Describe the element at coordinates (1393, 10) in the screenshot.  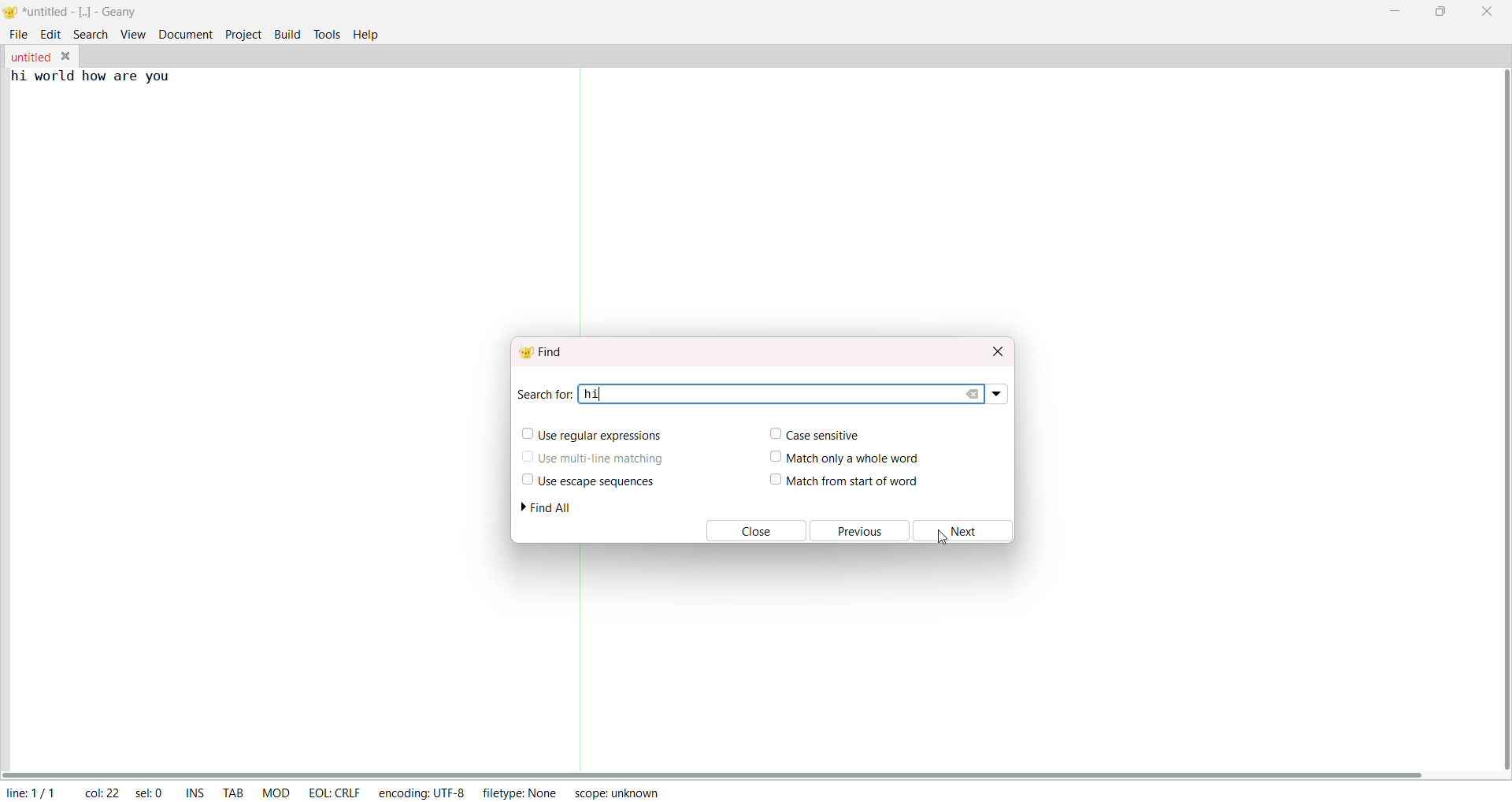
I see `minimize` at that location.